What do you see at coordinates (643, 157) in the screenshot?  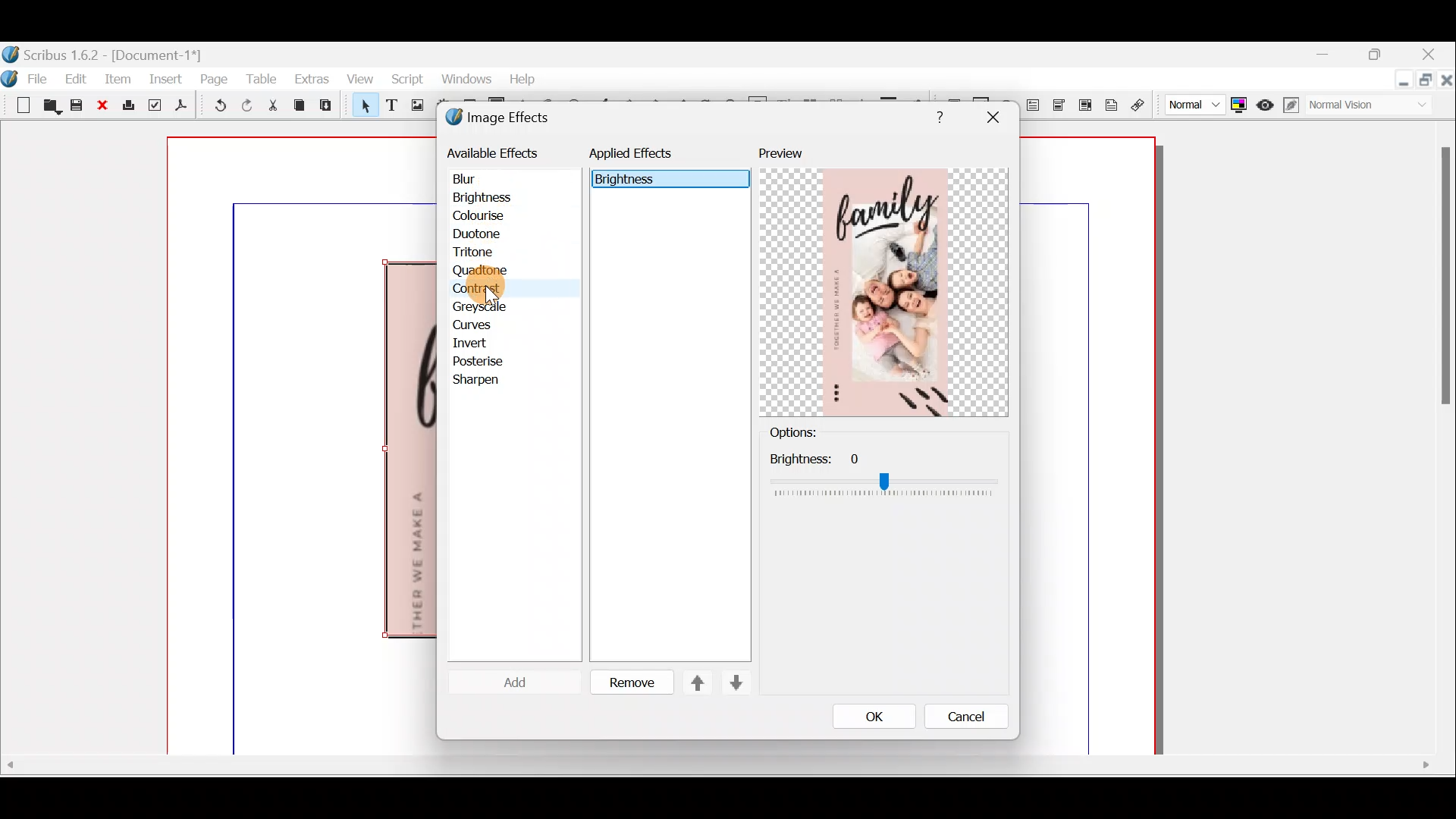 I see `Applied effects` at bounding box center [643, 157].